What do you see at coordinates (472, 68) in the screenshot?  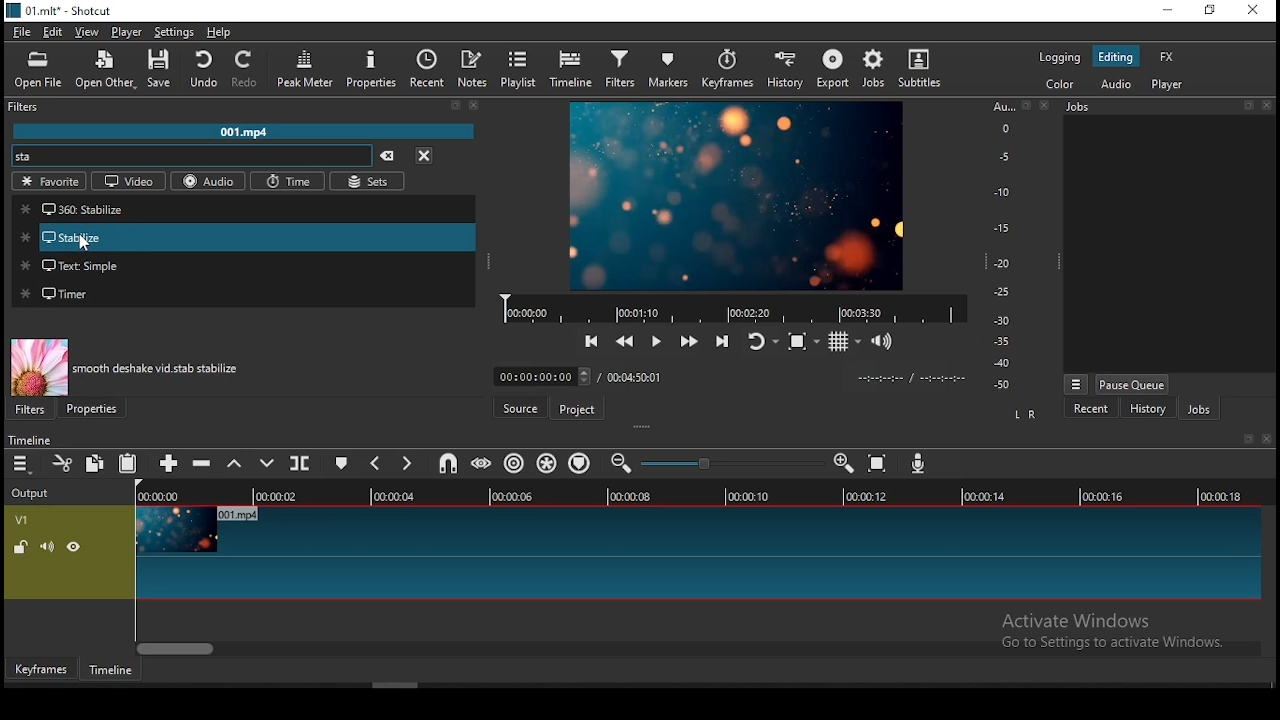 I see `notes` at bounding box center [472, 68].